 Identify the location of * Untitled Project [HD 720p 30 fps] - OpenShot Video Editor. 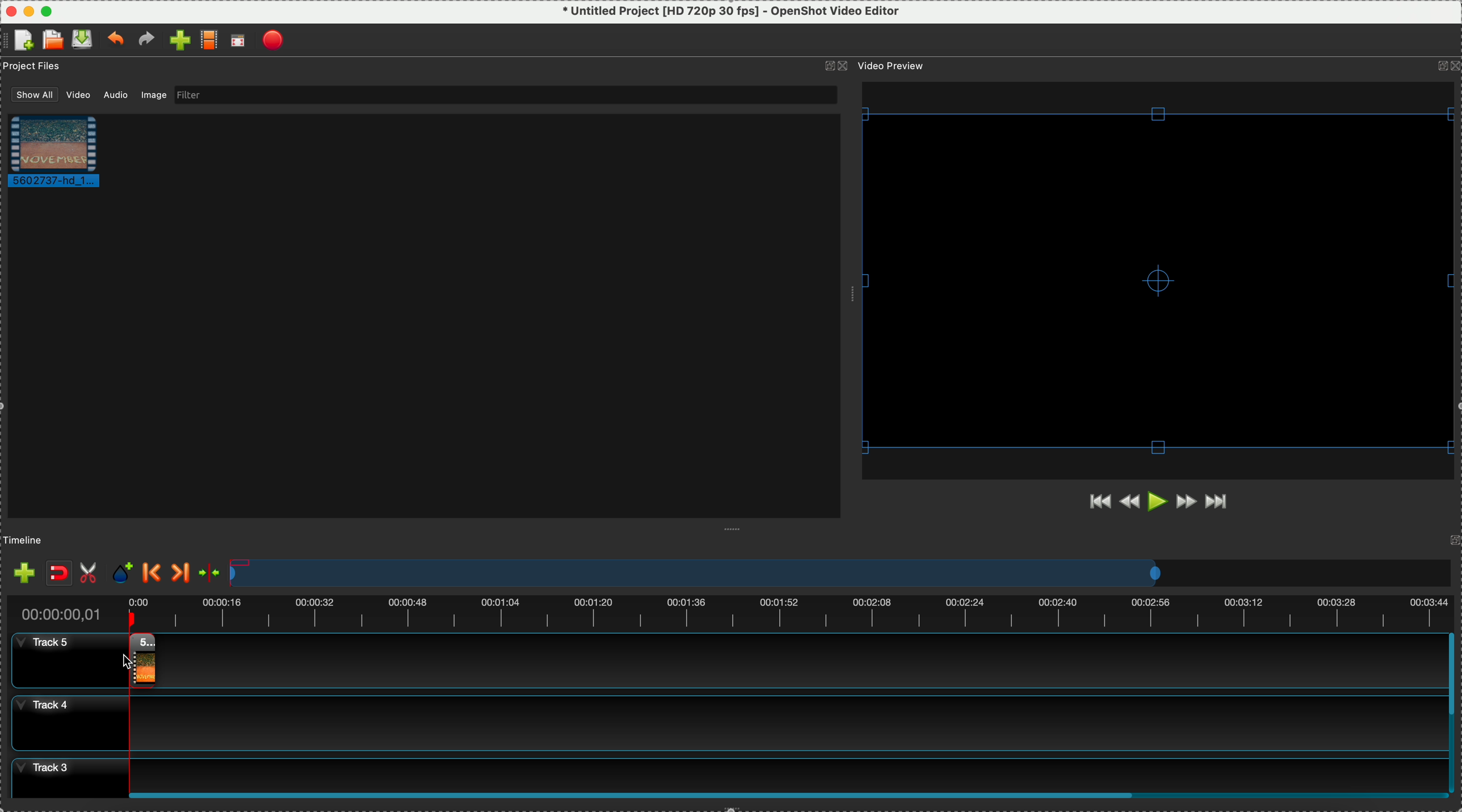
(732, 11).